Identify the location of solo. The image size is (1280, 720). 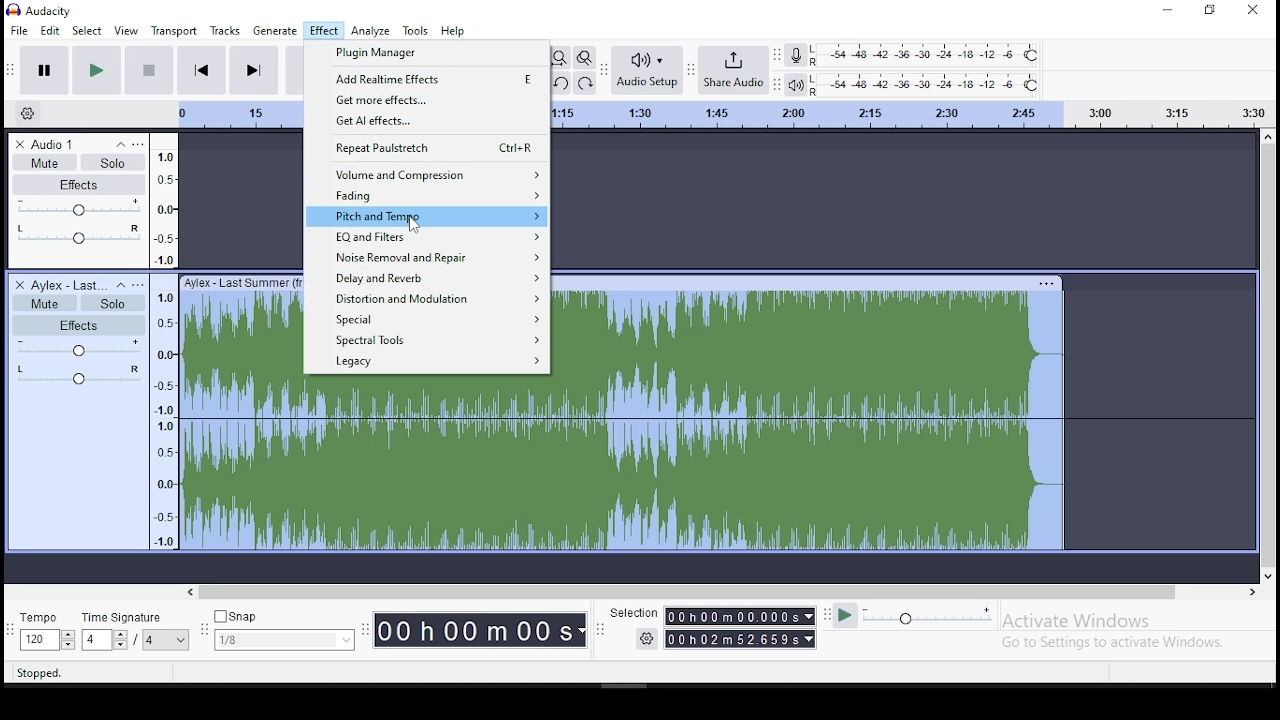
(117, 164).